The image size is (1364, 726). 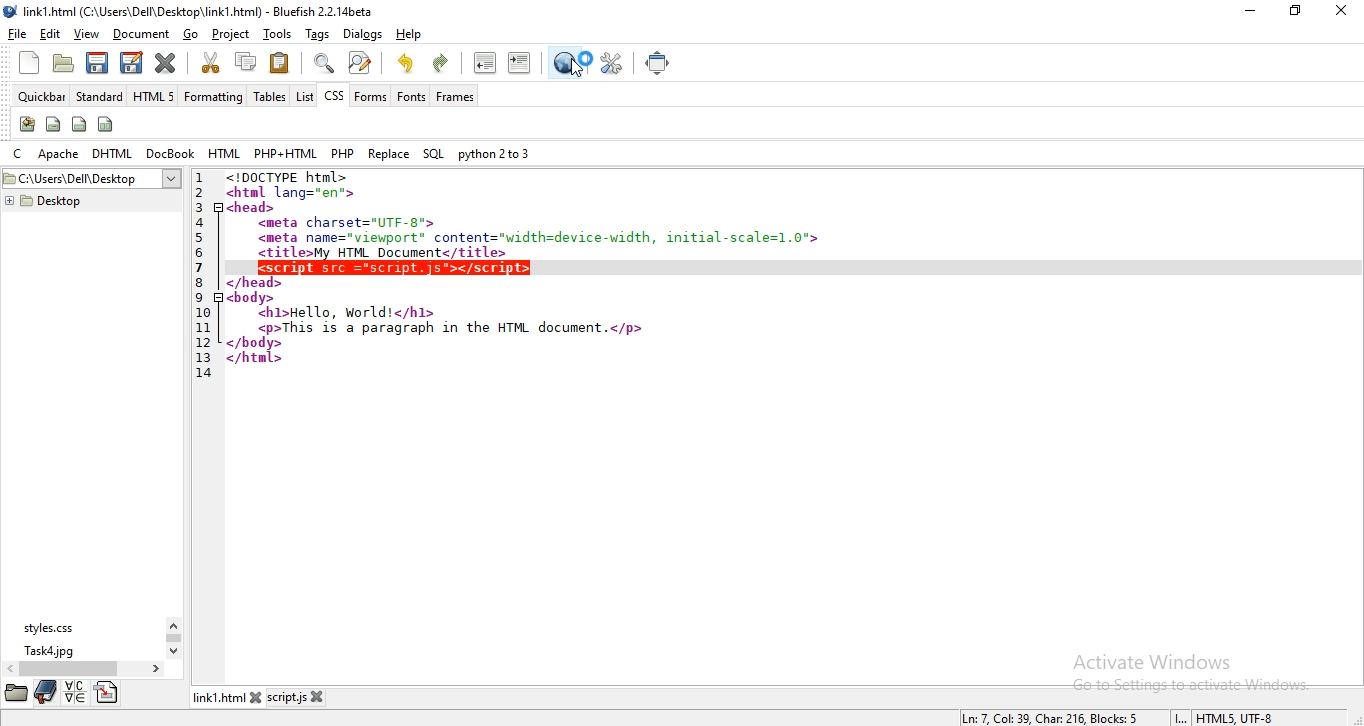 I want to click on tables, so click(x=270, y=95).